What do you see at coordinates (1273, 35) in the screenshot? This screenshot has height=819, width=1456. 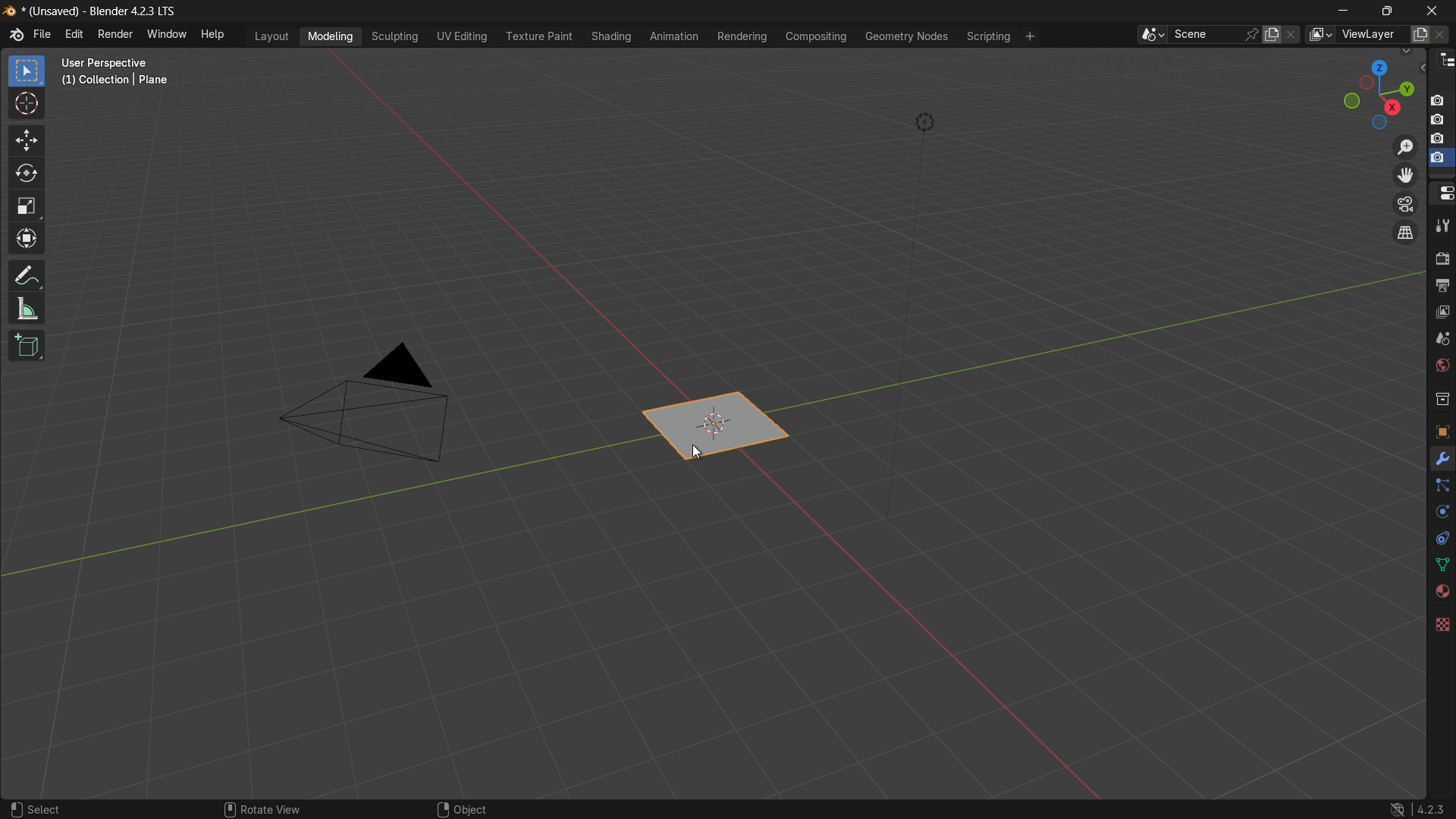 I see `new scene` at bounding box center [1273, 35].